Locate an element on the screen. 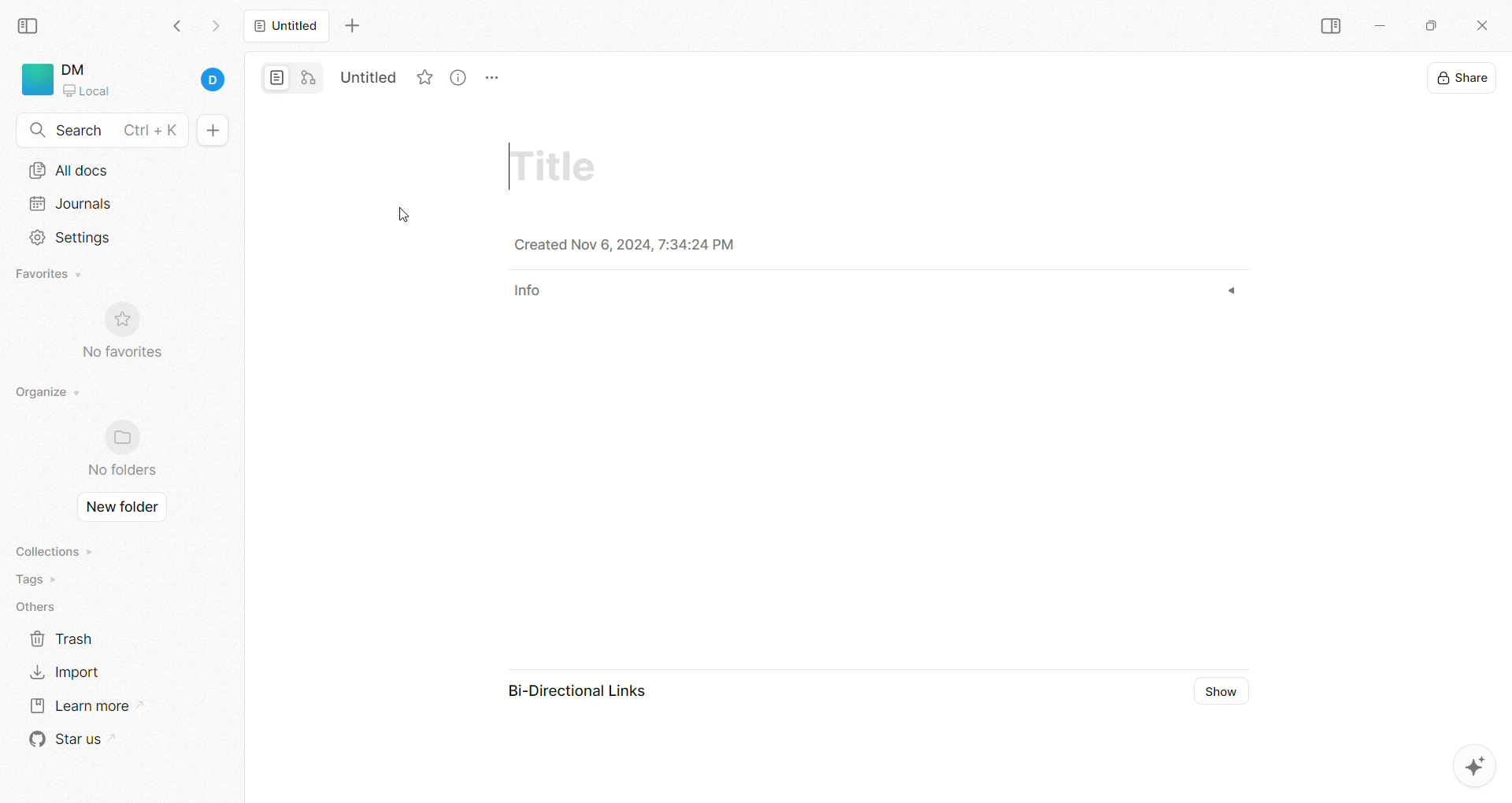 The width and height of the screenshot is (1512, 803). info is located at coordinates (532, 296).